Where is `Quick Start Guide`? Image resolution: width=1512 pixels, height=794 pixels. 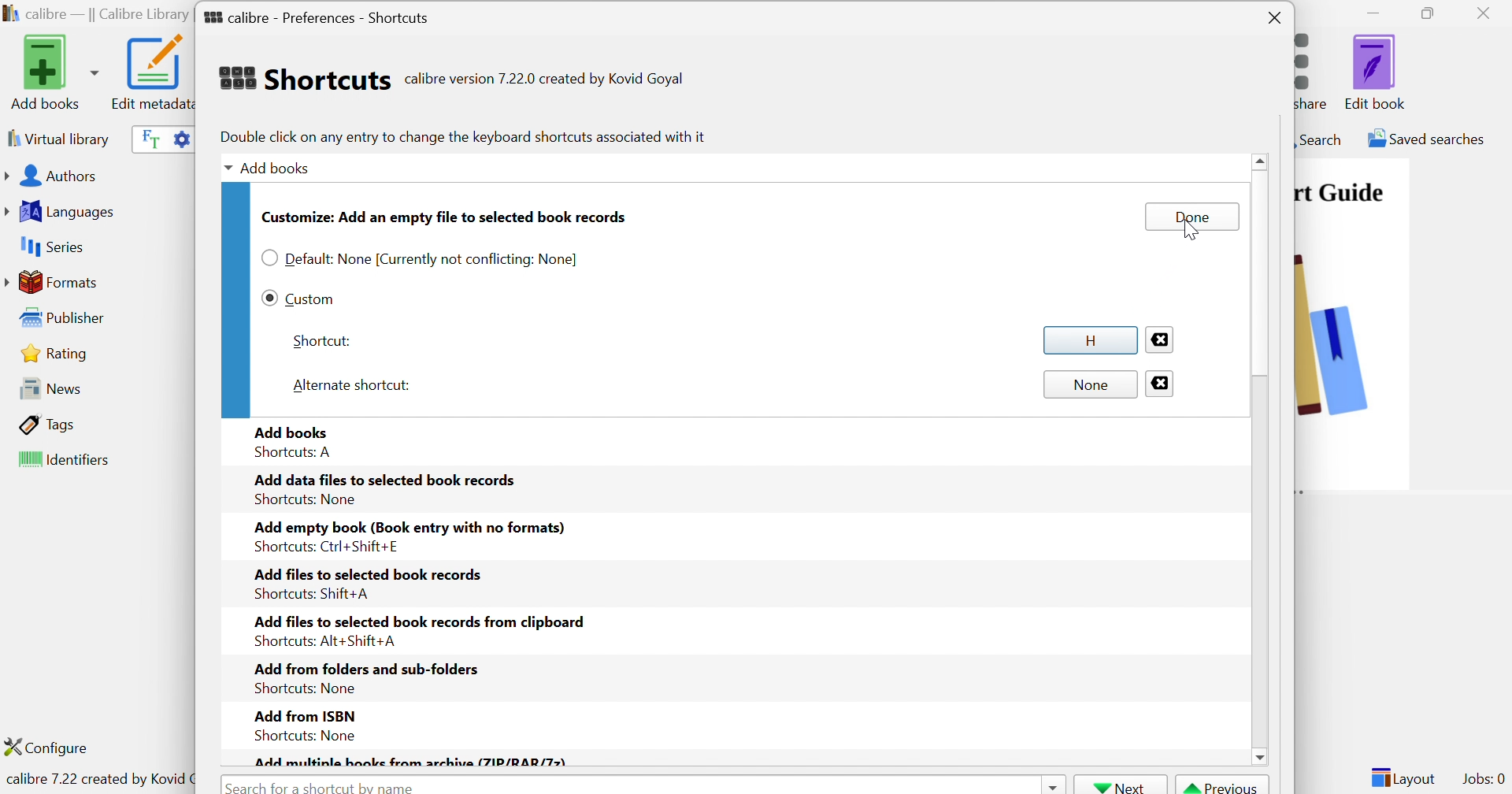
Quick Start Guide is located at coordinates (1340, 192).